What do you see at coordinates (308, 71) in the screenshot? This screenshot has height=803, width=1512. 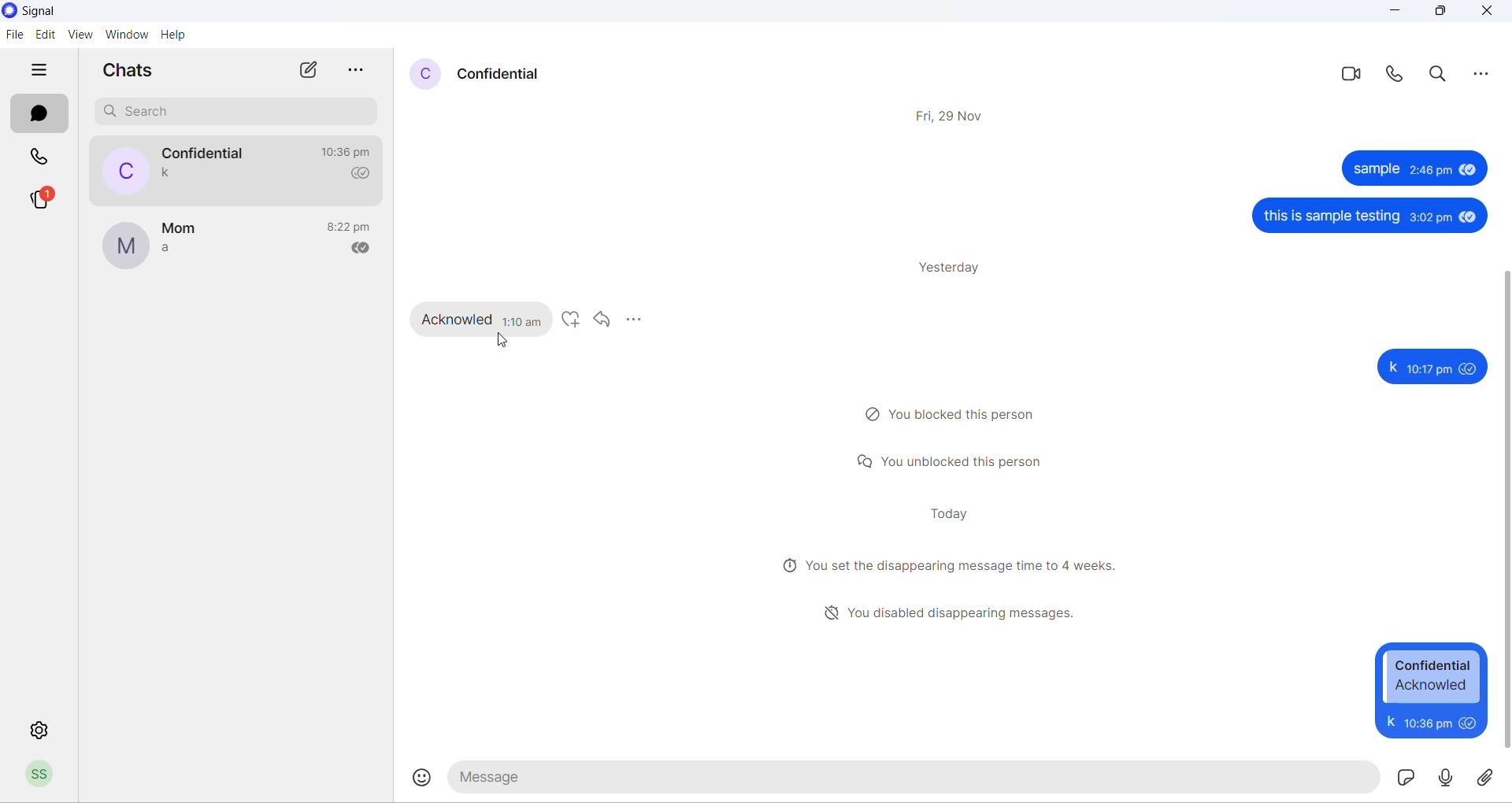 I see `new chats ` at bounding box center [308, 71].